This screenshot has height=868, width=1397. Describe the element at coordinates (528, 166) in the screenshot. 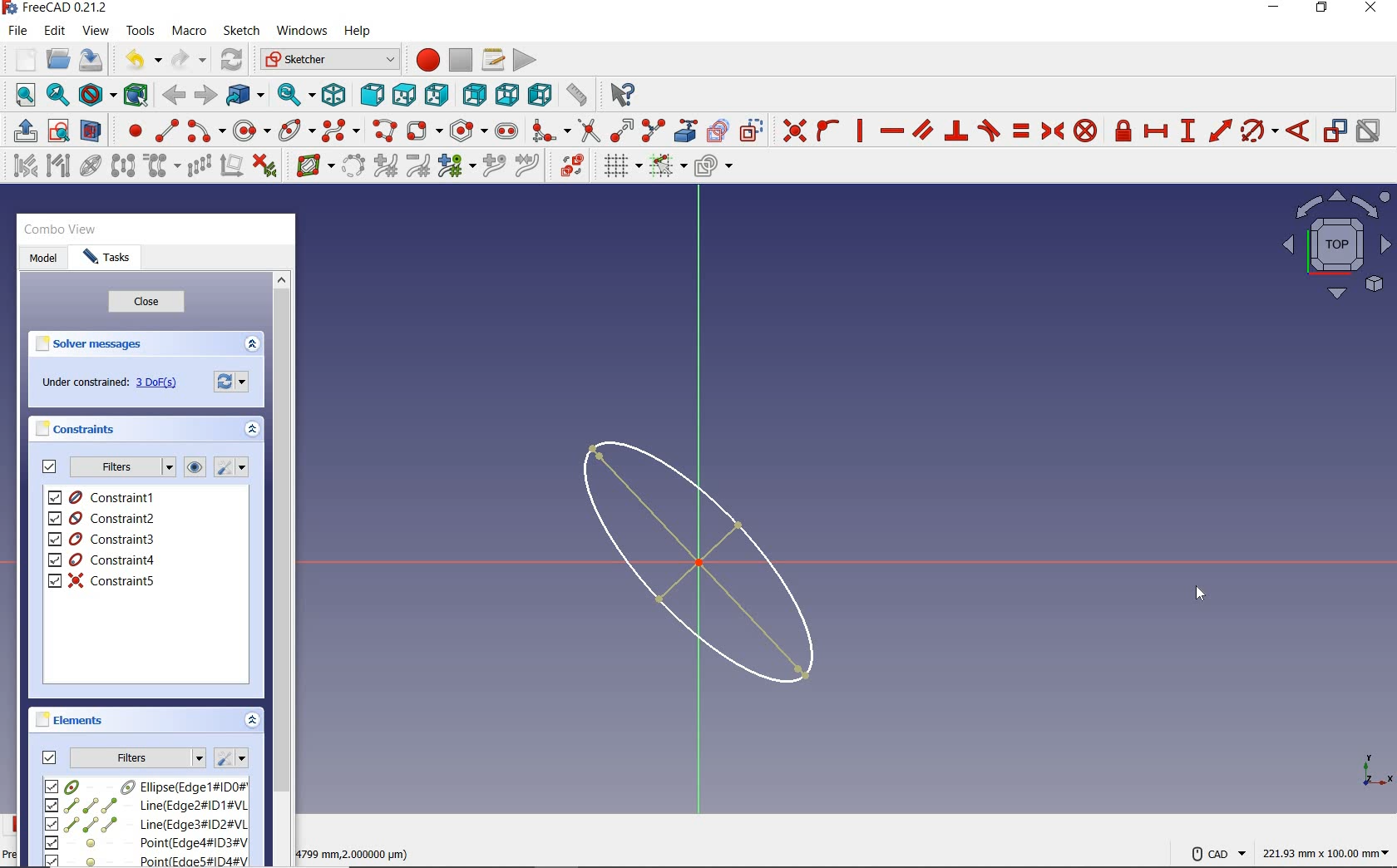

I see `join curves` at that location.